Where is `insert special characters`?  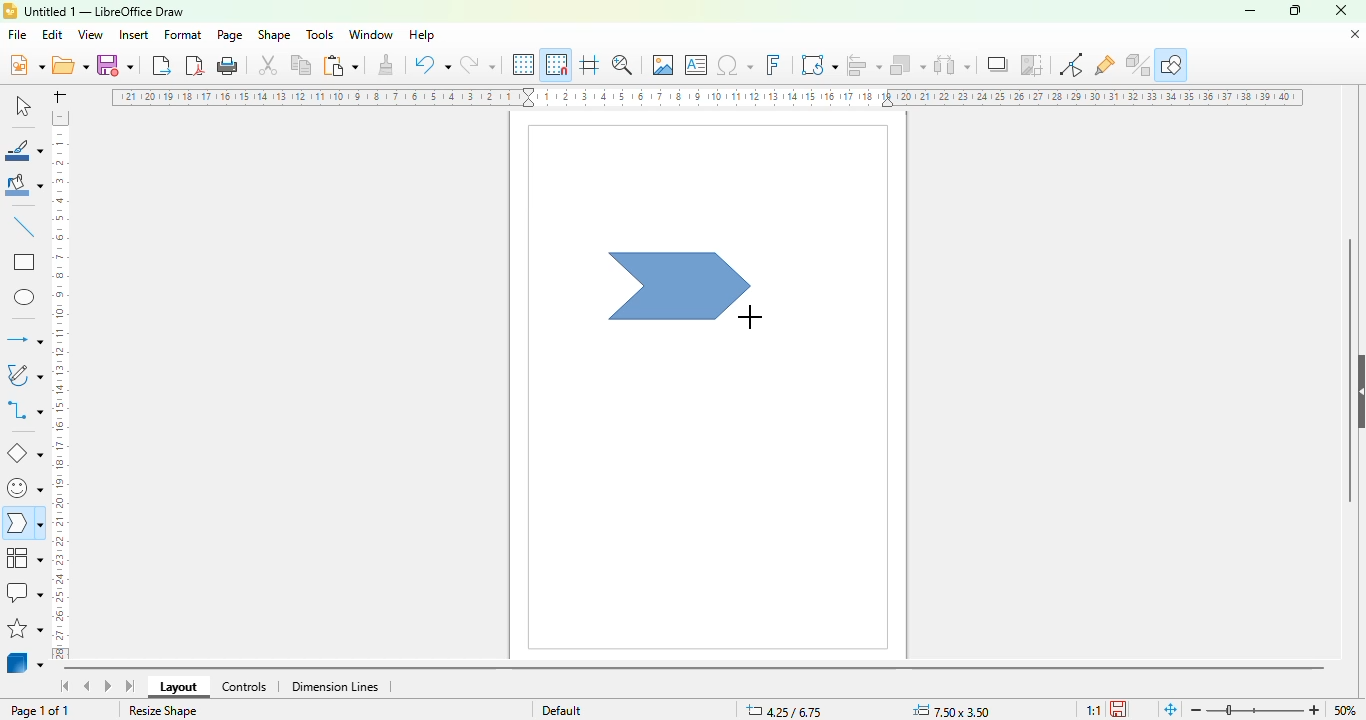
insert special characters is located at coordinates (735, 65).